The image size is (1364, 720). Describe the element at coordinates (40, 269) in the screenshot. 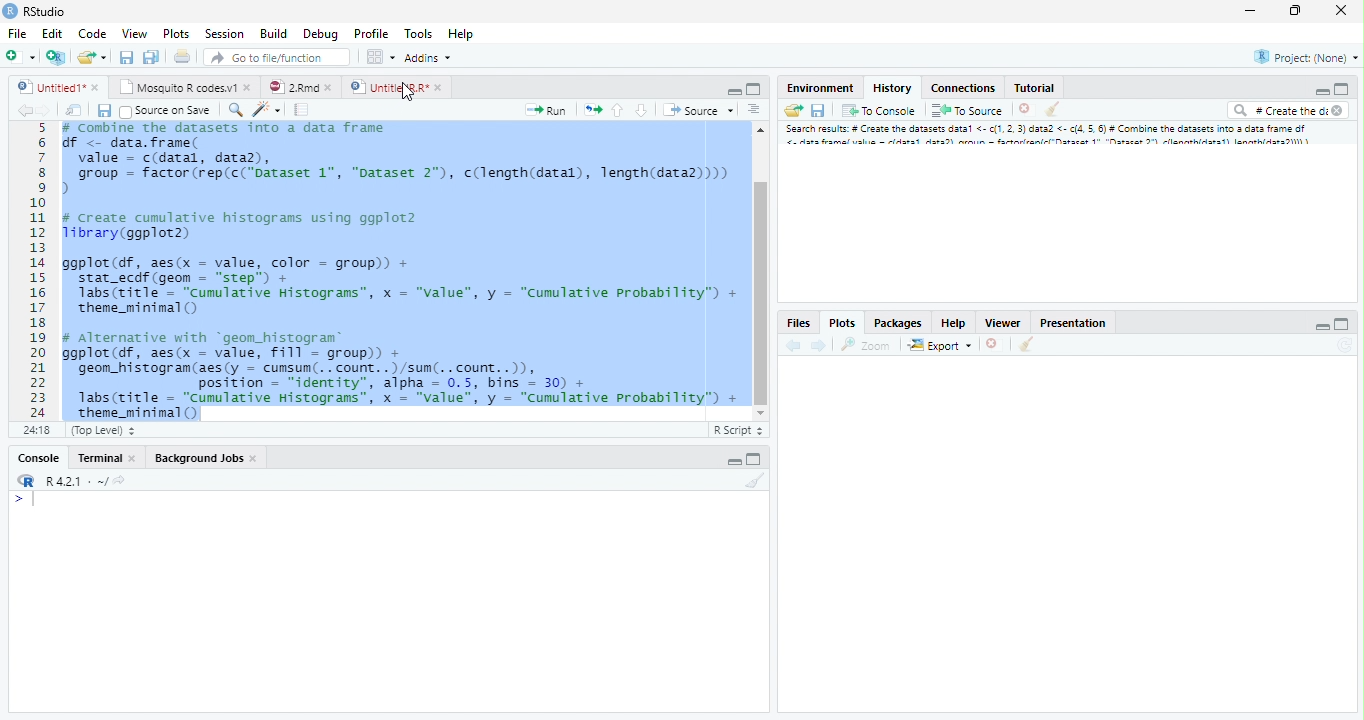

I see `Numbers` at that location.